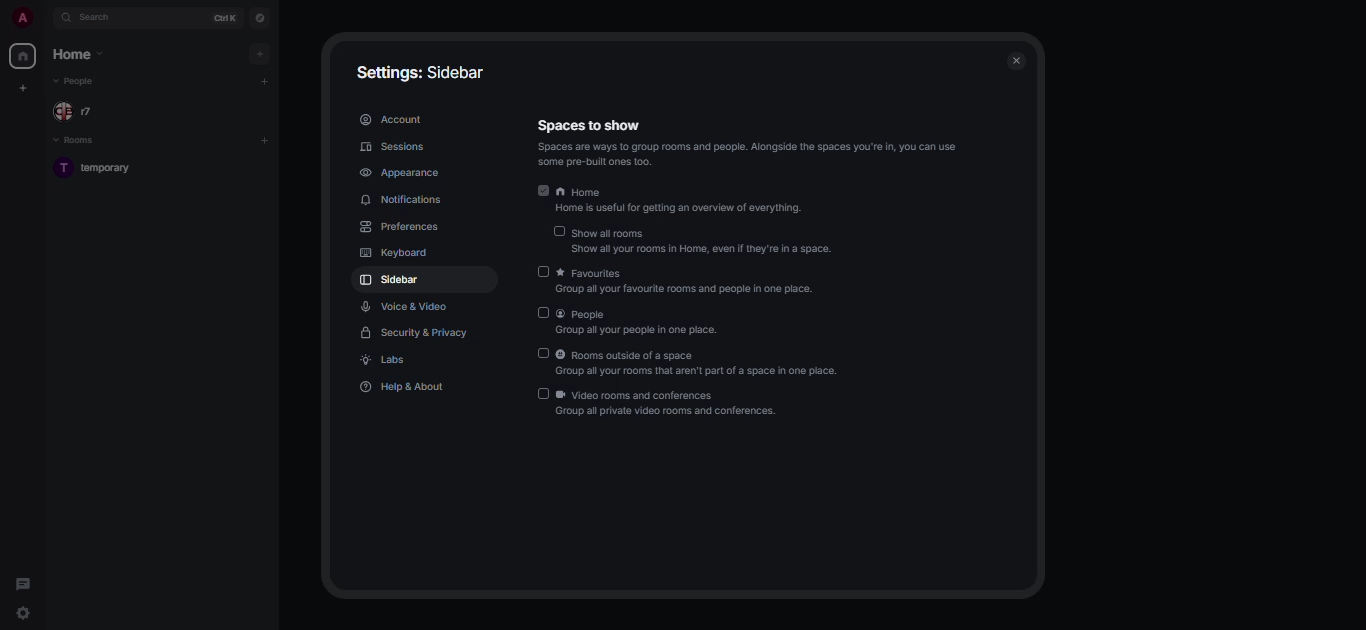  Describe the element at coordinates (540, 271) in the screenshot. I see `disabled` at that location.